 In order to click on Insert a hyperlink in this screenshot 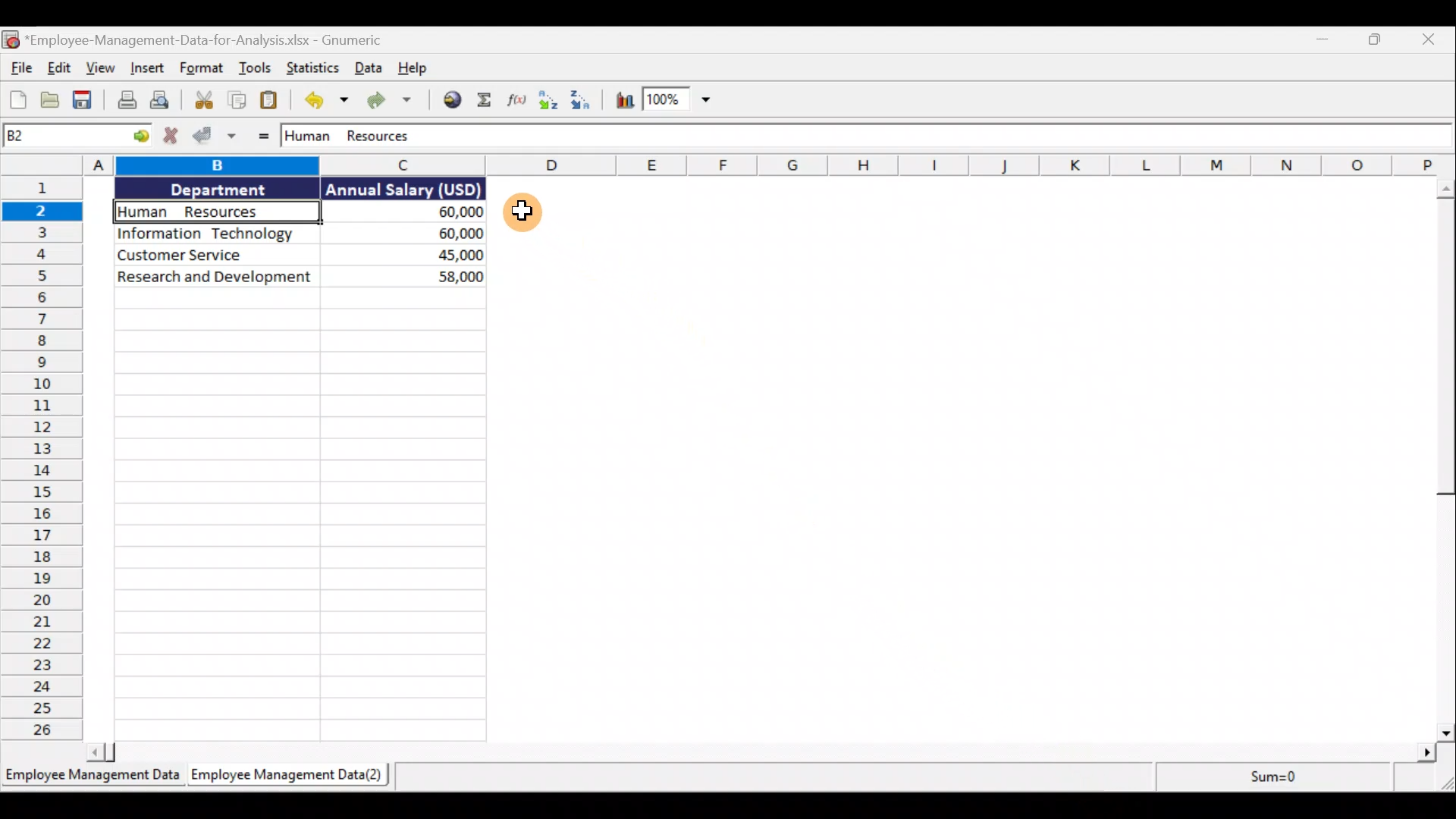, I will do `click(454, 100)`.